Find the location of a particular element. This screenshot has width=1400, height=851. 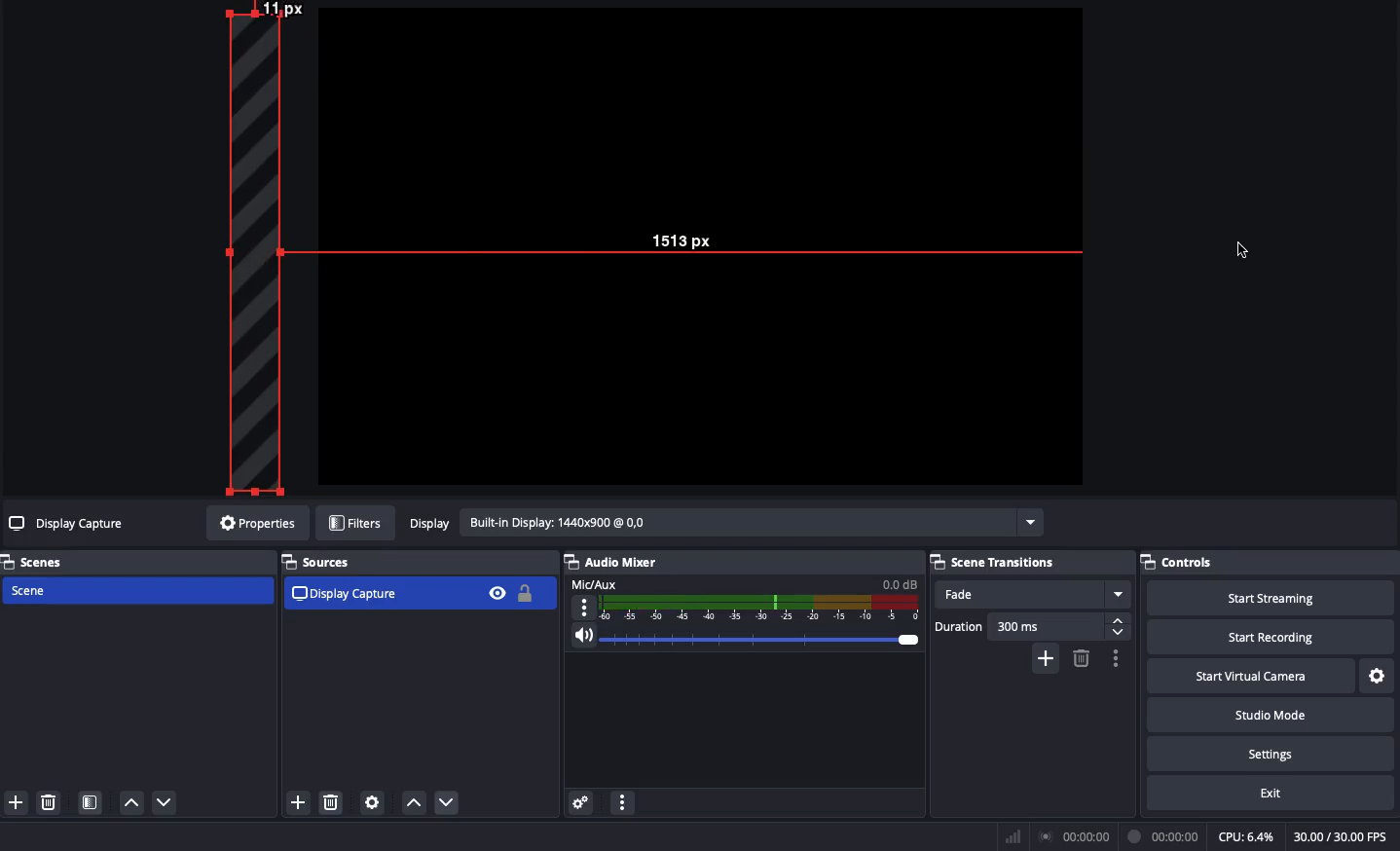

Mic/Aux is located at coordinates (742, 598).